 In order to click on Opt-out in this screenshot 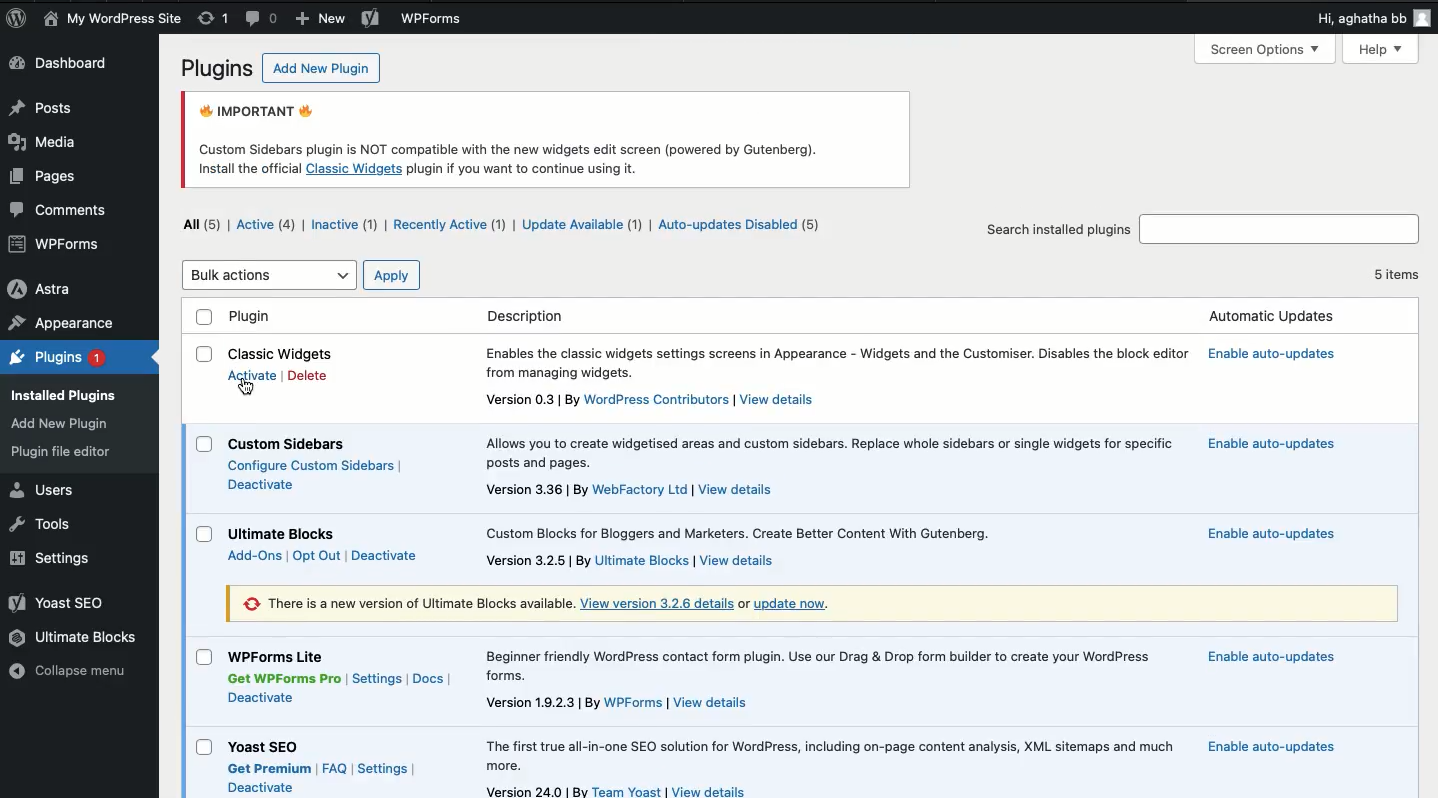, I will do `click(314, 556)`.